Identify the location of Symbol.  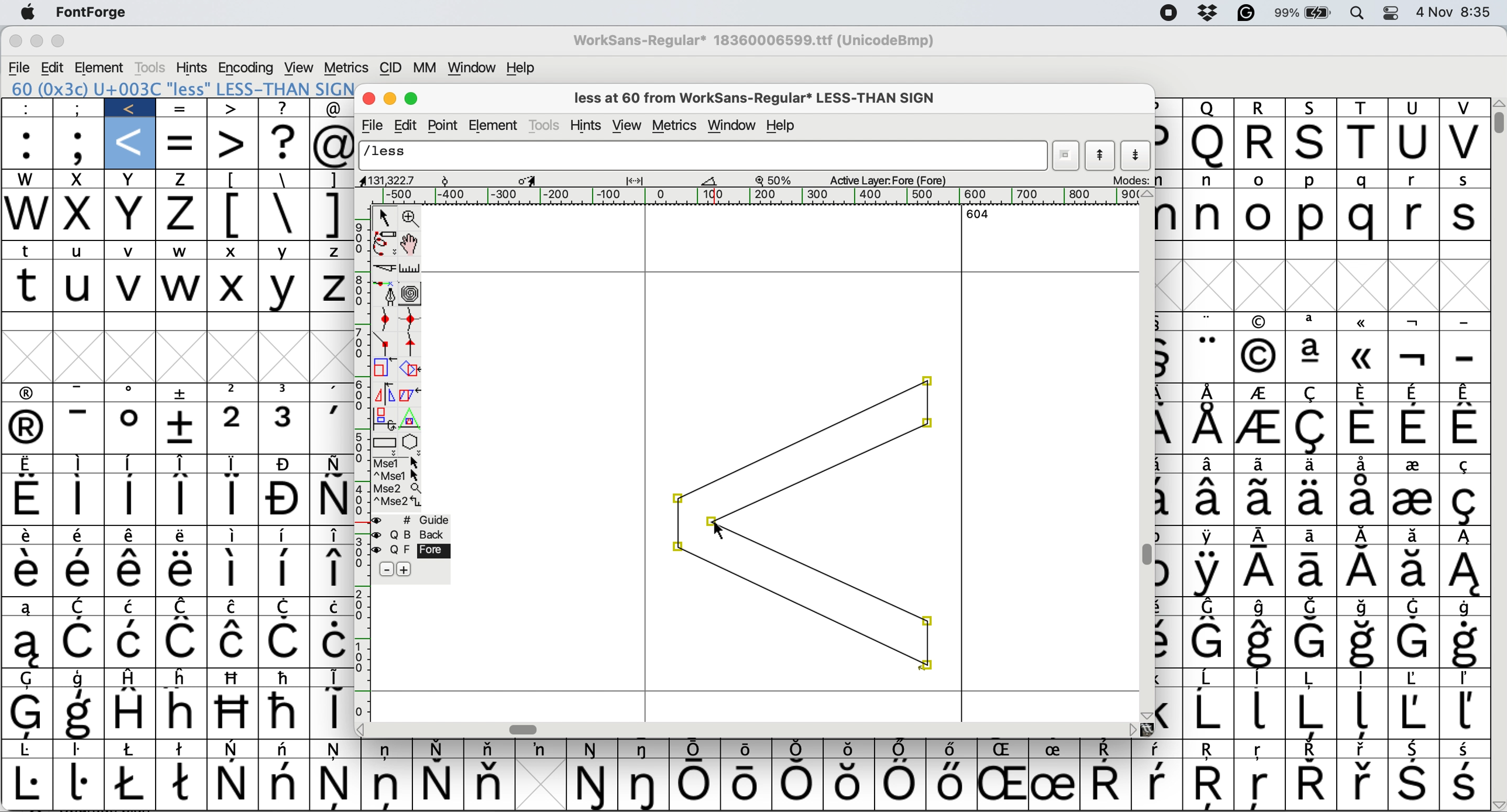
(1464, 429).